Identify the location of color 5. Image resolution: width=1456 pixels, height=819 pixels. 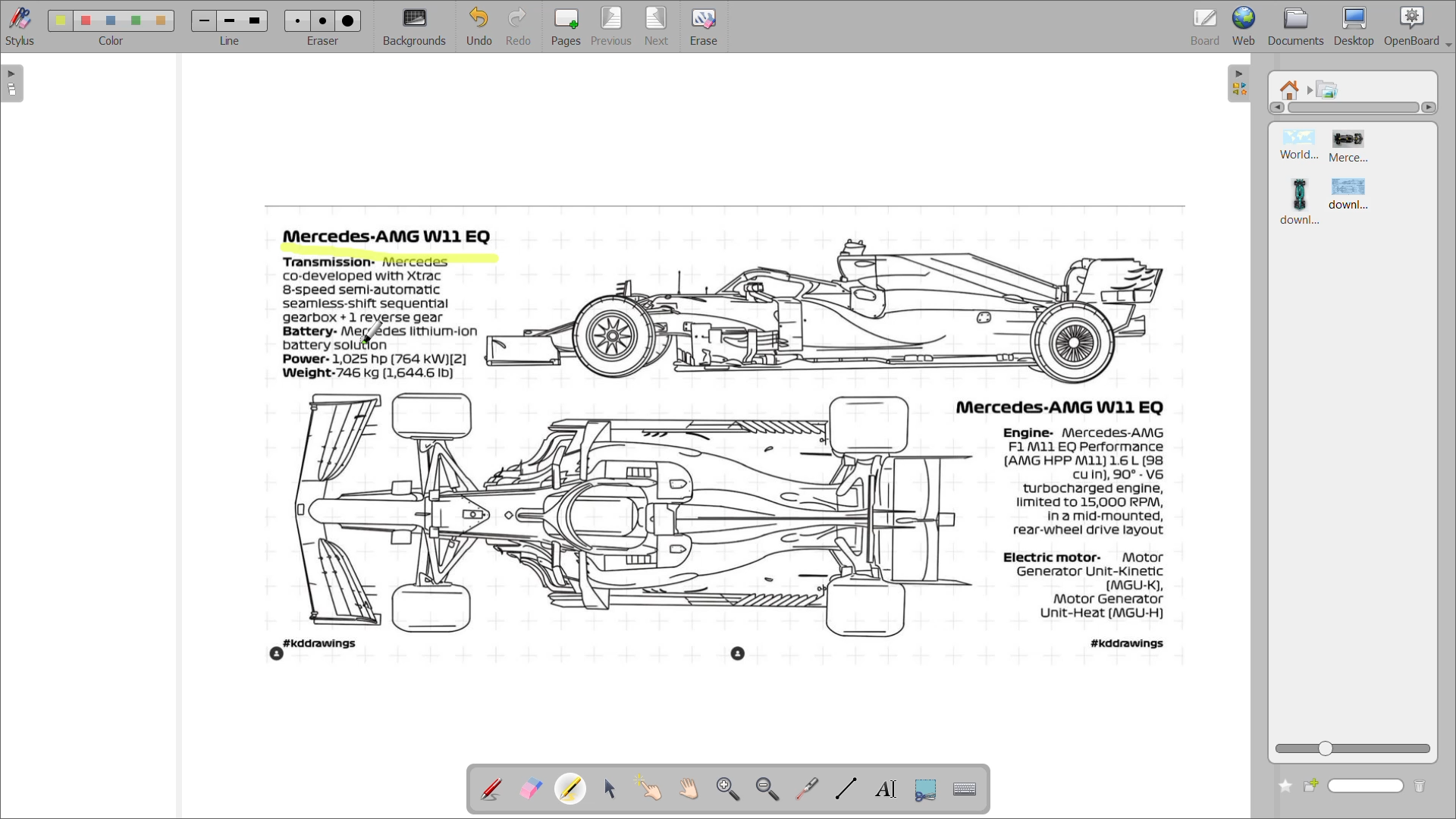
(162, 20).